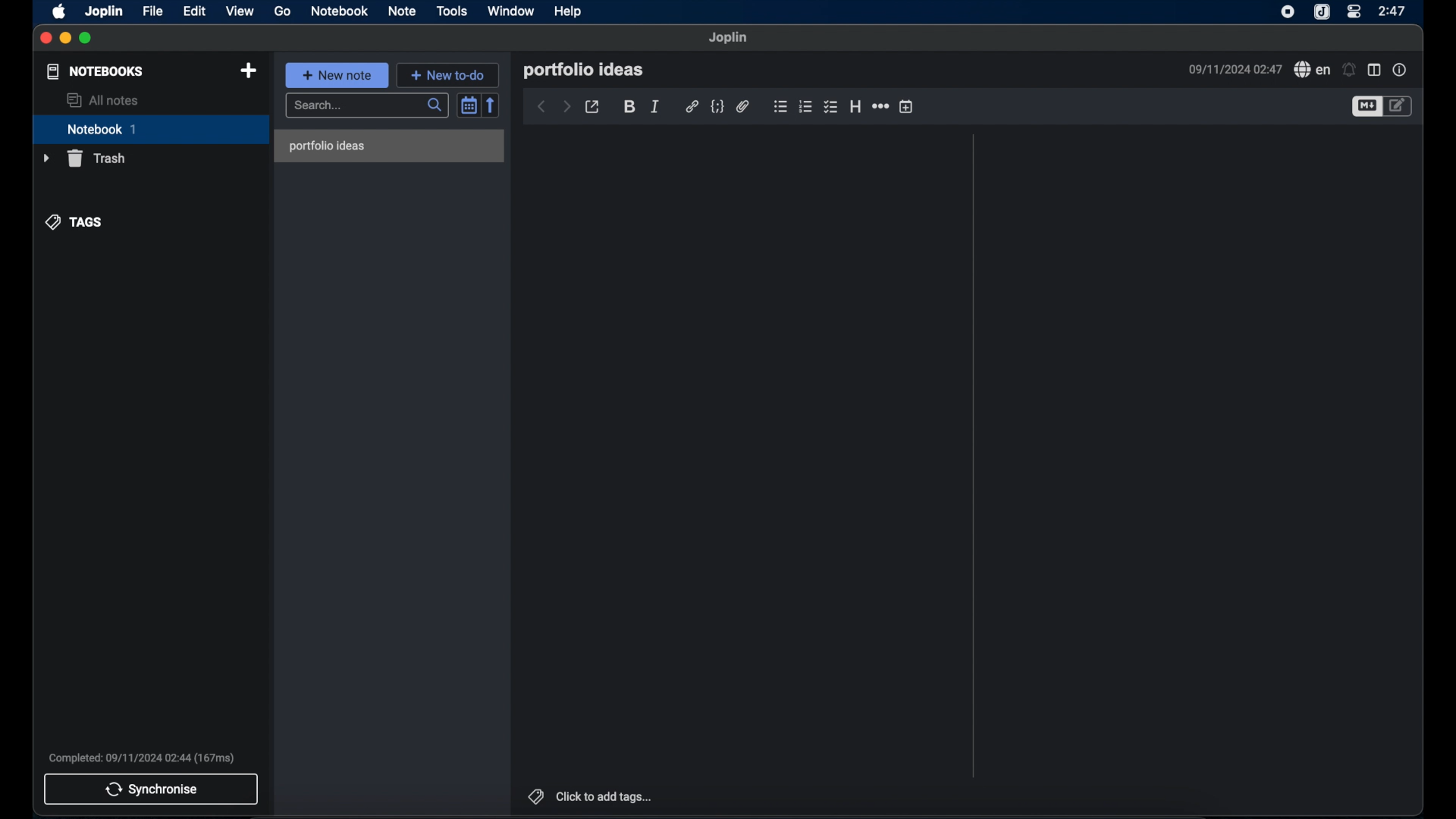 The width and height of the screenshot is (1456, 819). I want to click on screen recorder icon, so click(1288, 11).